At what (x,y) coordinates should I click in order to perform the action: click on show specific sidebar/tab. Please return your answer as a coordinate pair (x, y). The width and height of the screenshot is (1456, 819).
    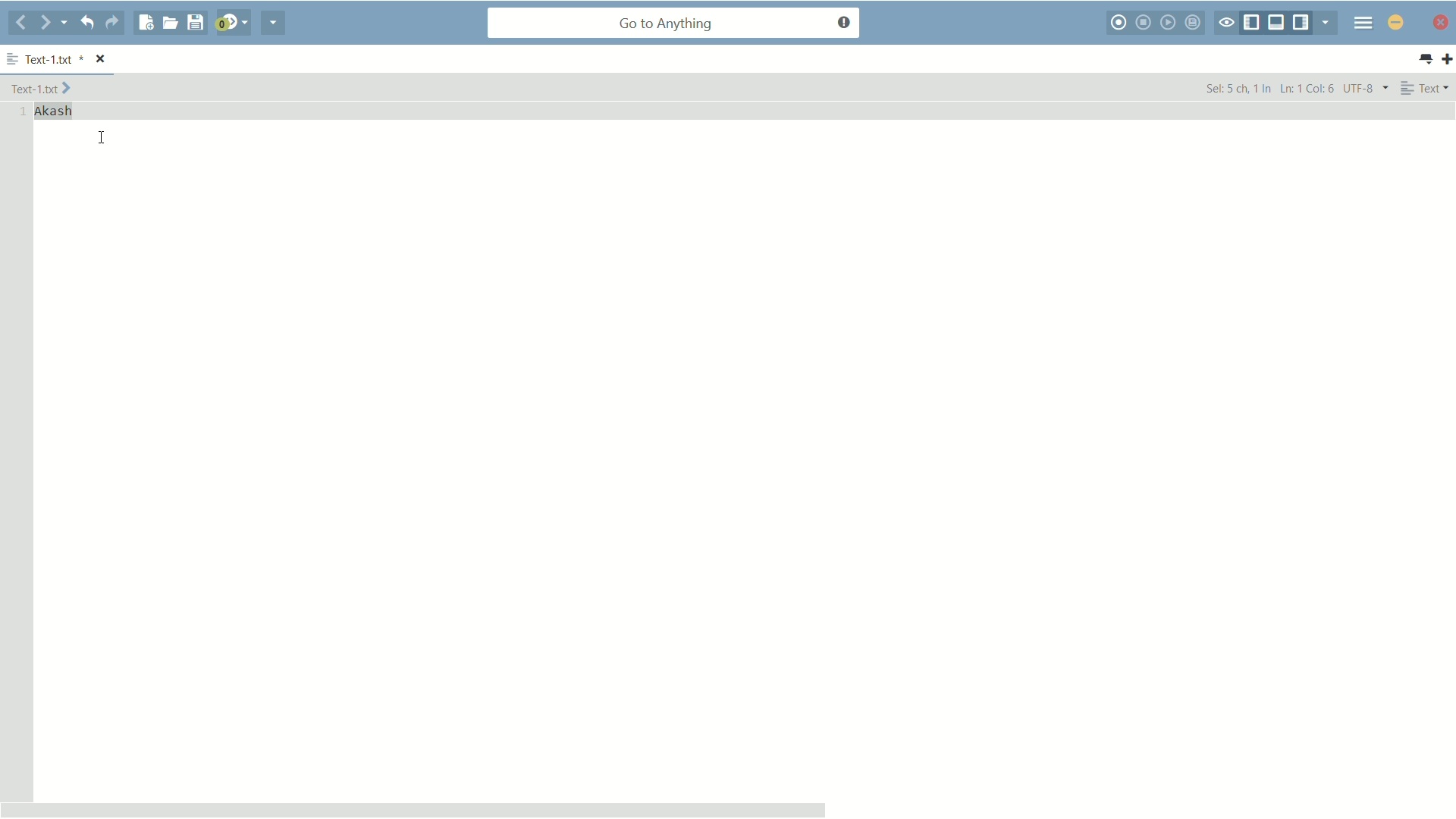
    Looking at the image, I should click on (1329, 23).